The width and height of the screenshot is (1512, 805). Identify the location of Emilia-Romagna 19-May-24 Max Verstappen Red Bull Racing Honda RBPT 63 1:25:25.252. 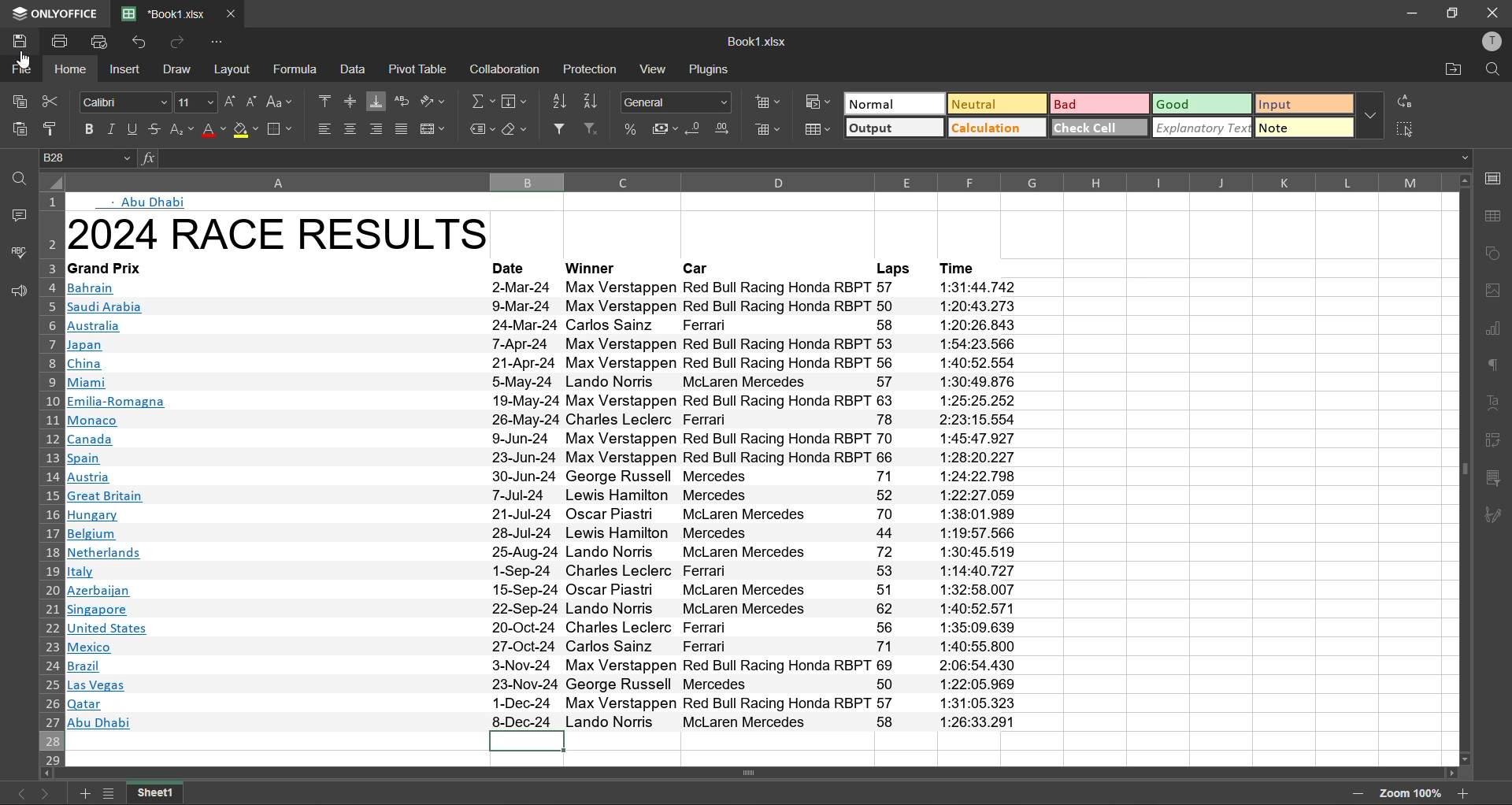
(547, 402).